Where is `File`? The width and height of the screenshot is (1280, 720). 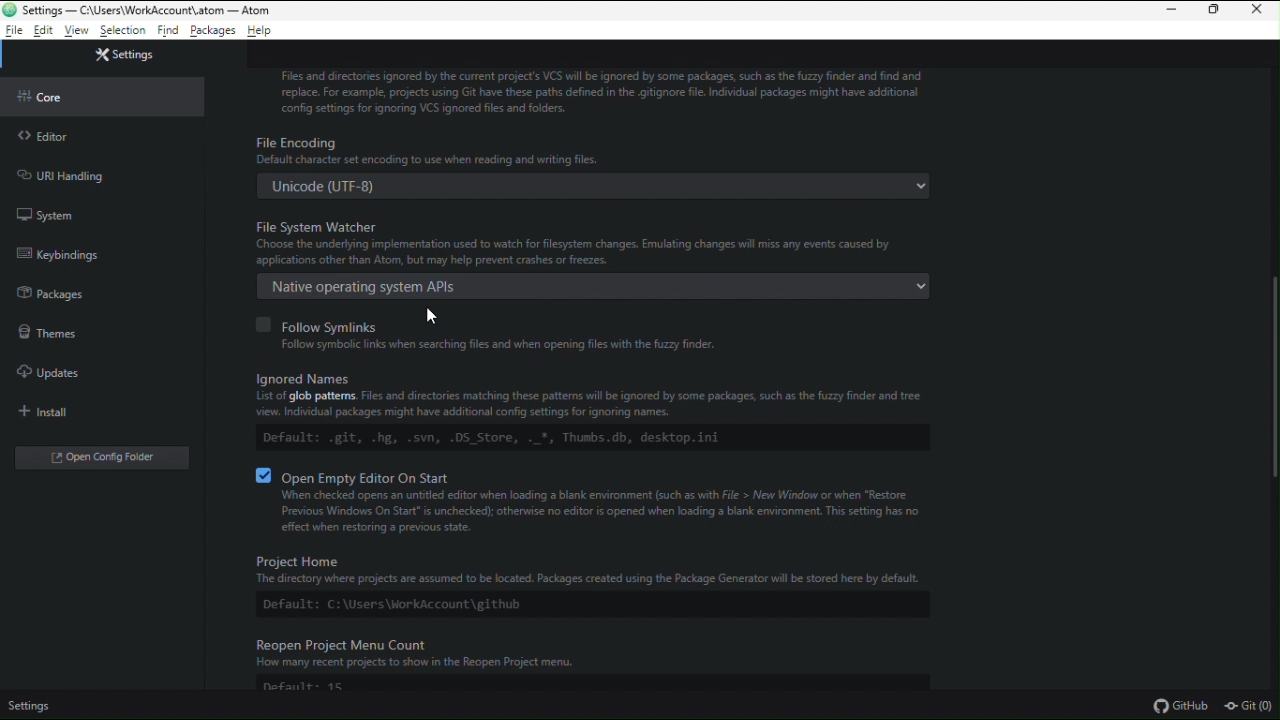
File is located at coordinates (14, 31).